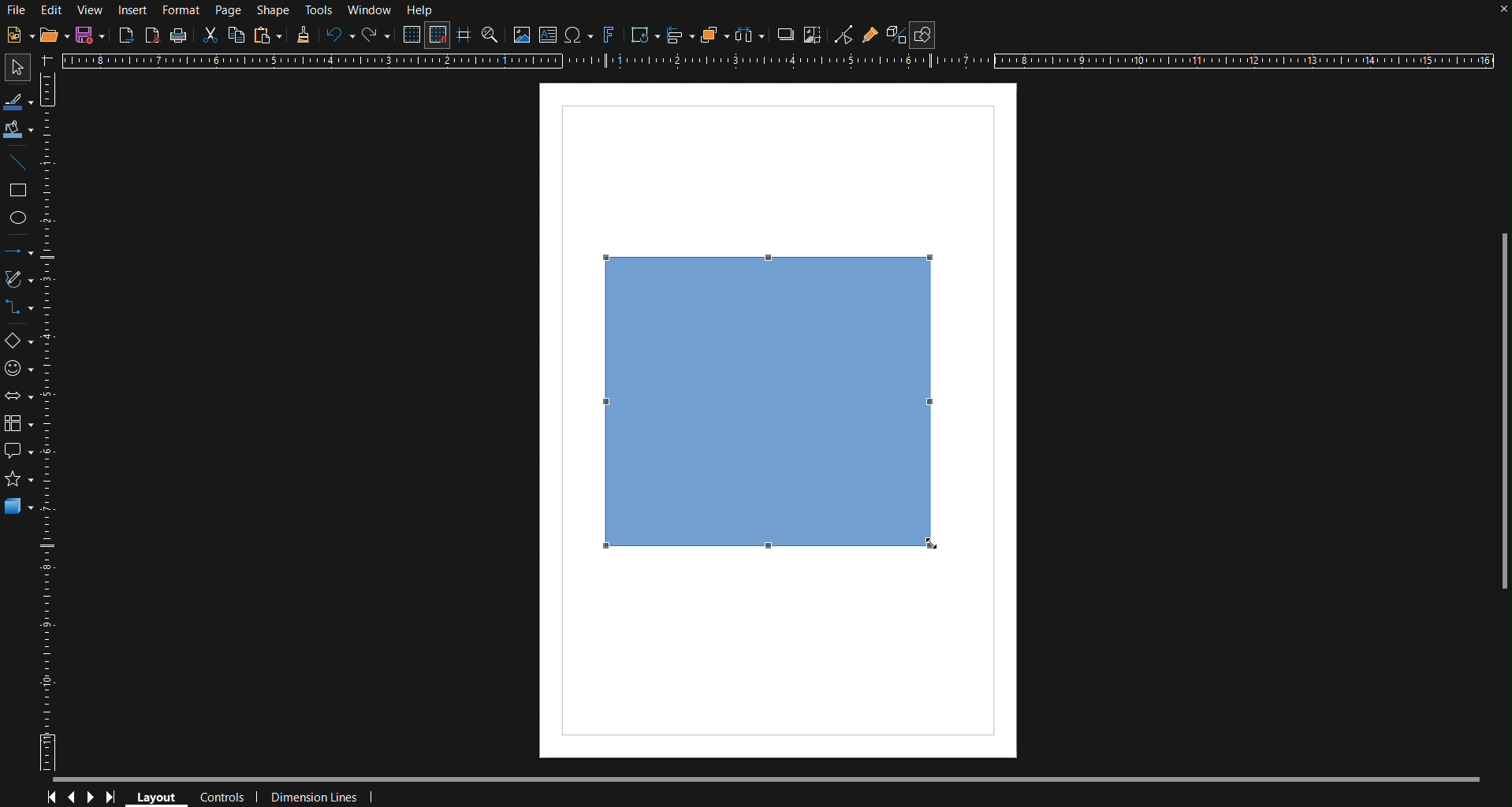 Image resolution: width=1512 pixels, height=807 pixels. What do you see at coordinates (155, 796) in the screenshot?
I see `Layout` at bounding box center [155, 796].